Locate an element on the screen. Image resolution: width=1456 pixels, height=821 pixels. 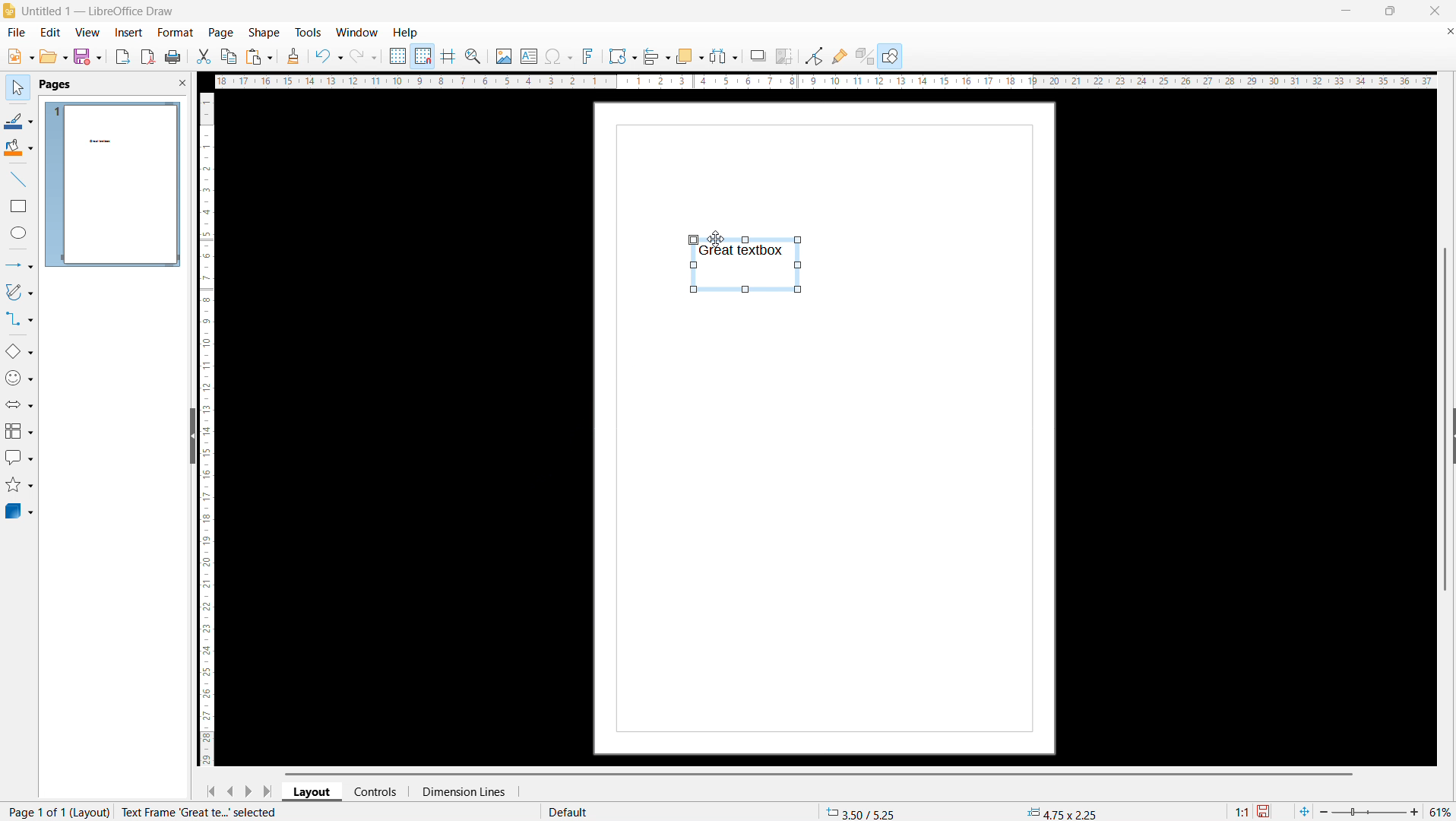
crop image is located at coordinates (784, 55).